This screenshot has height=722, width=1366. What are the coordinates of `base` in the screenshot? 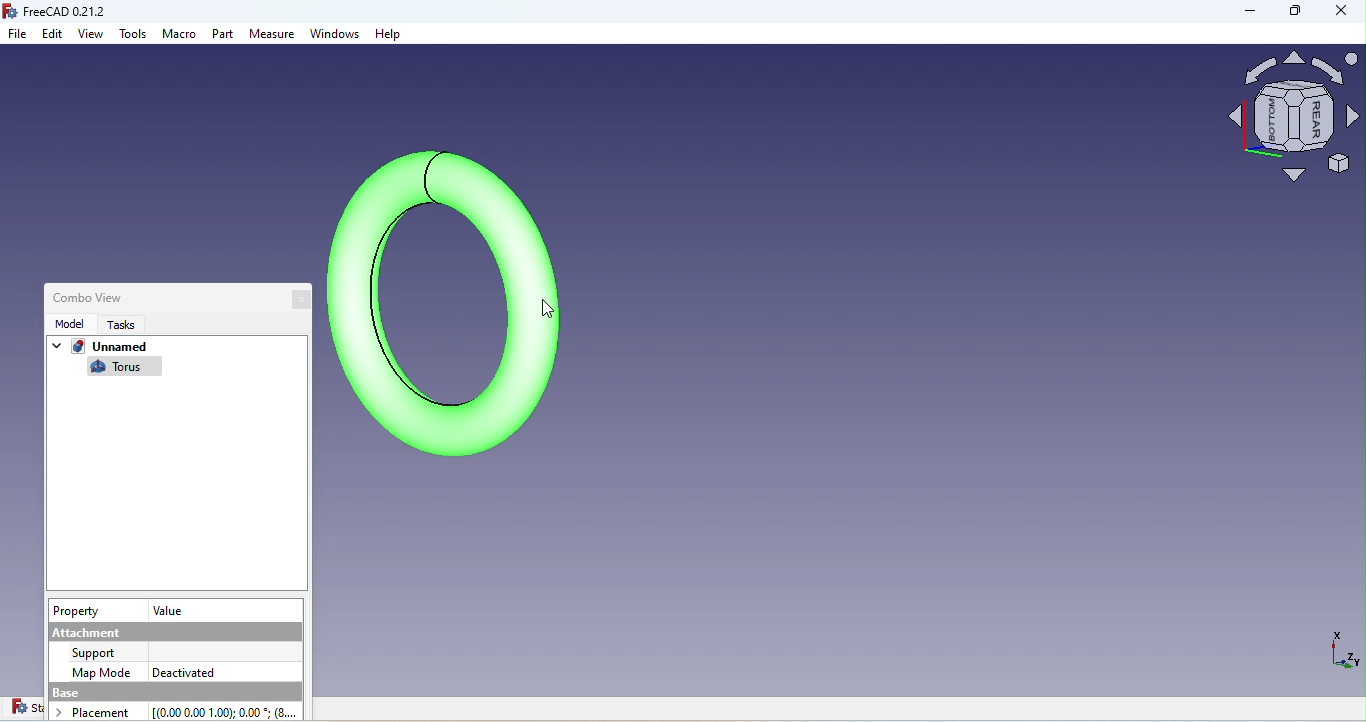 It's located at (171, 692).